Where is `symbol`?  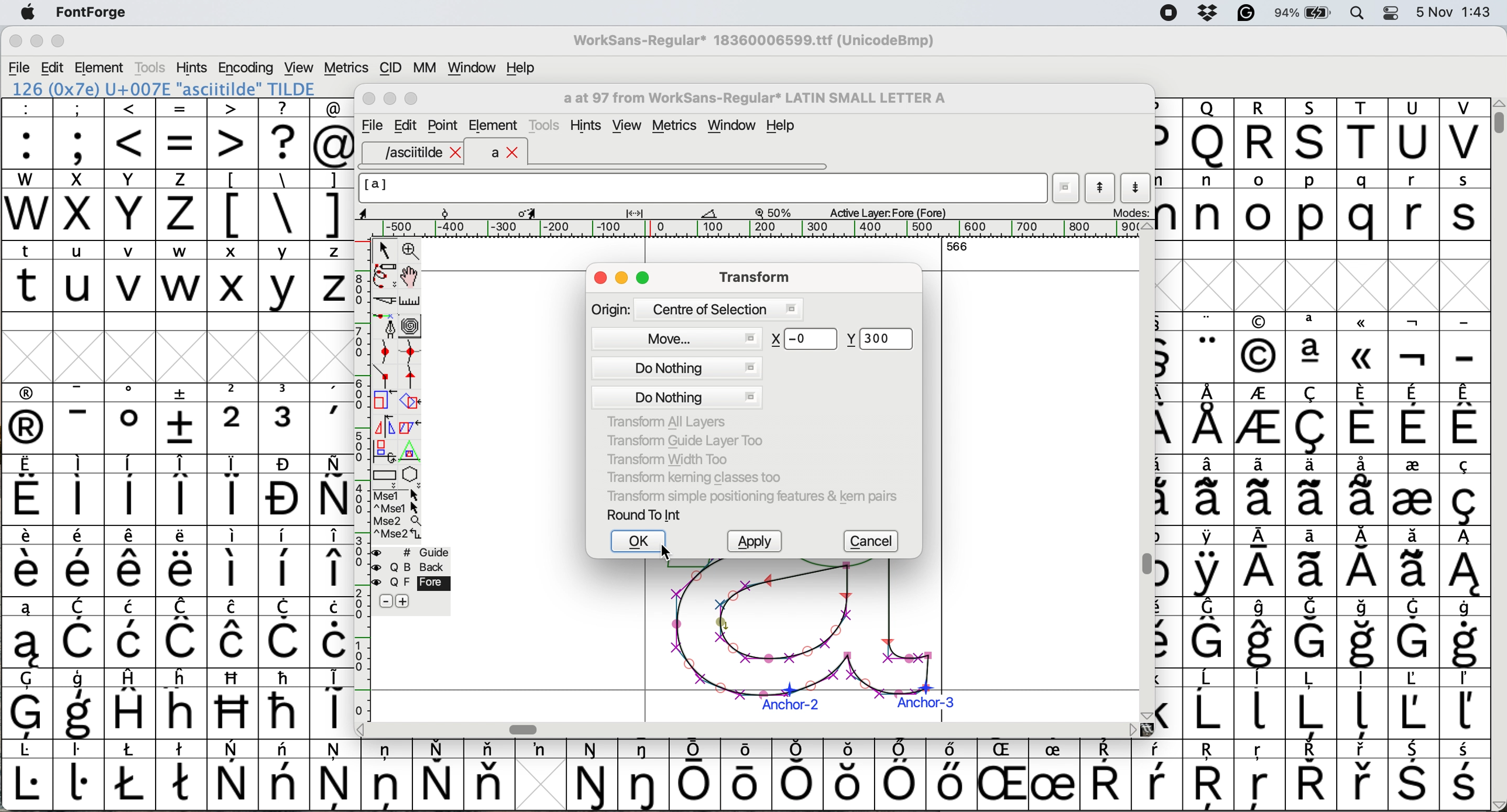 symbol is located at coordinates (696, 775).